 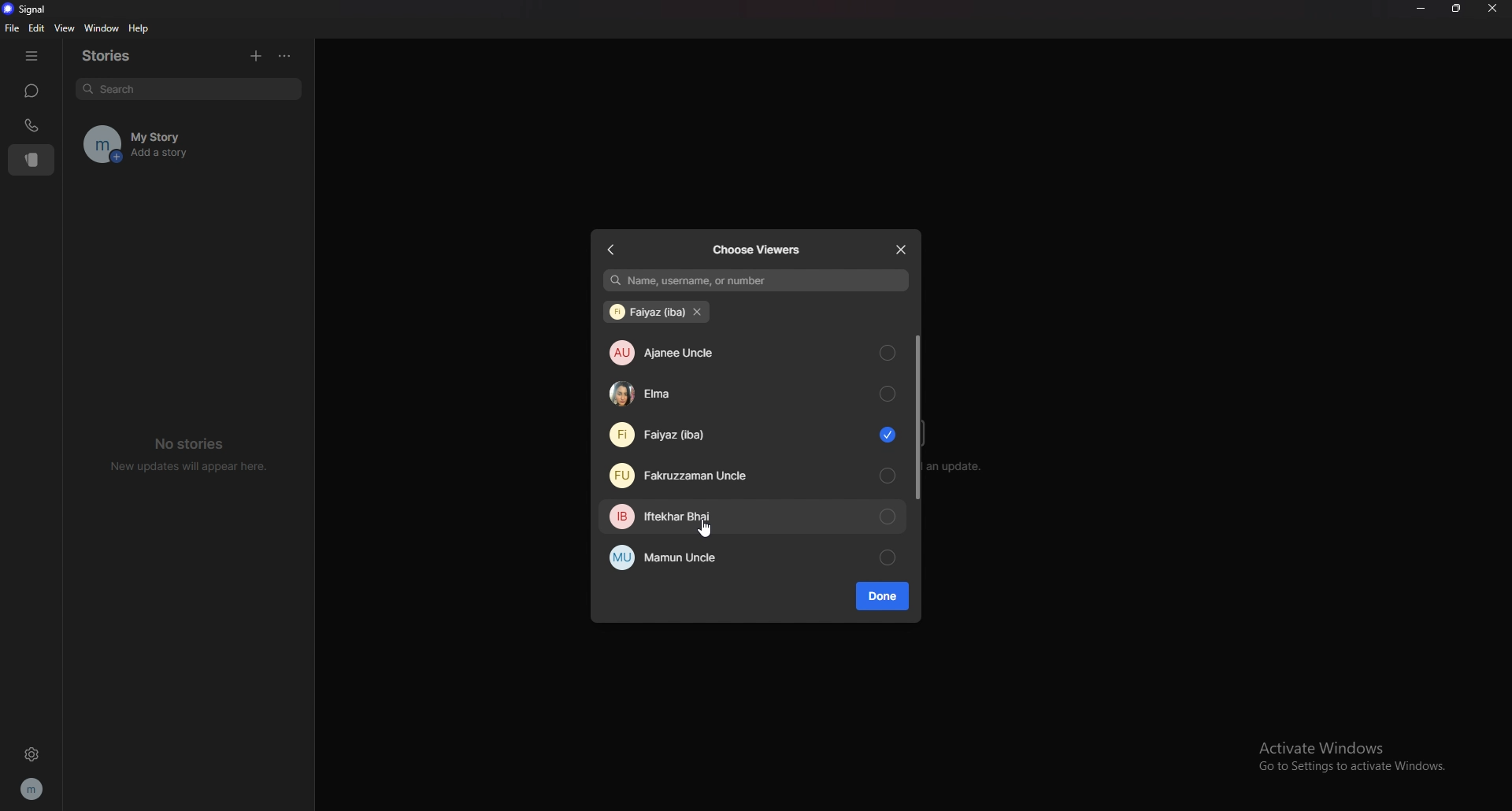 I want to click on close, so click(x=902, y=250).